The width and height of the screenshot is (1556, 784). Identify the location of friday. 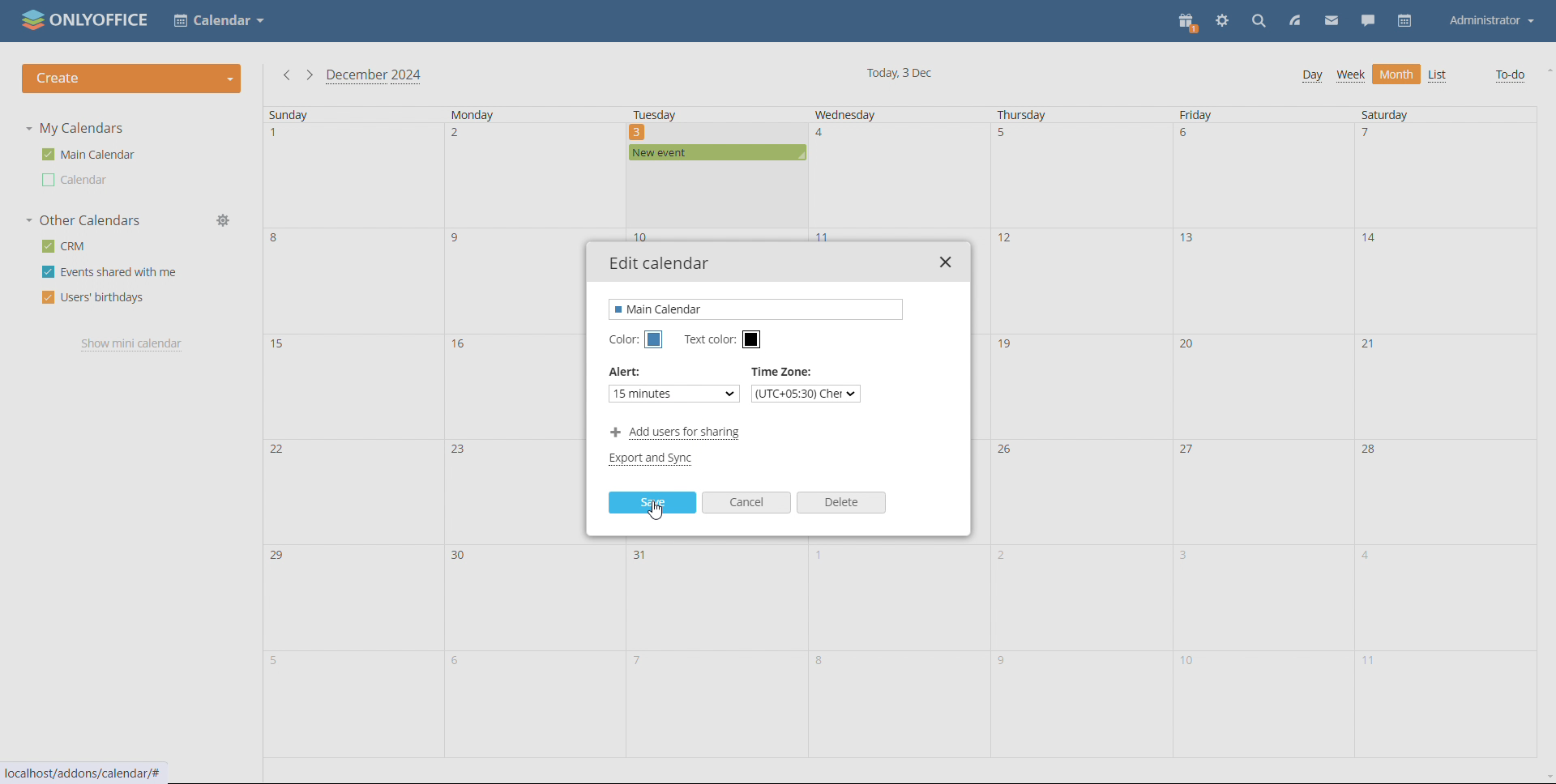
(1220, 115).